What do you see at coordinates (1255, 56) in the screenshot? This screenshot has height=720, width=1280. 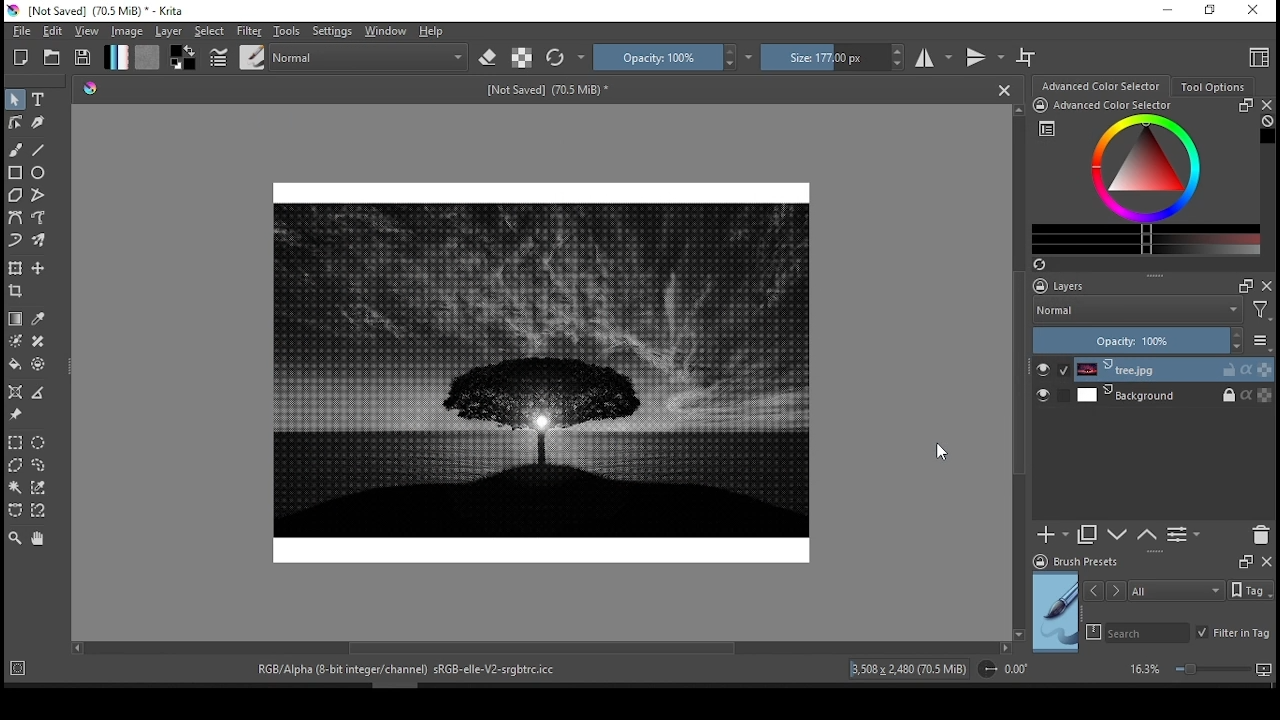 I see `choose workspace` at bounding box center [1255, 56].